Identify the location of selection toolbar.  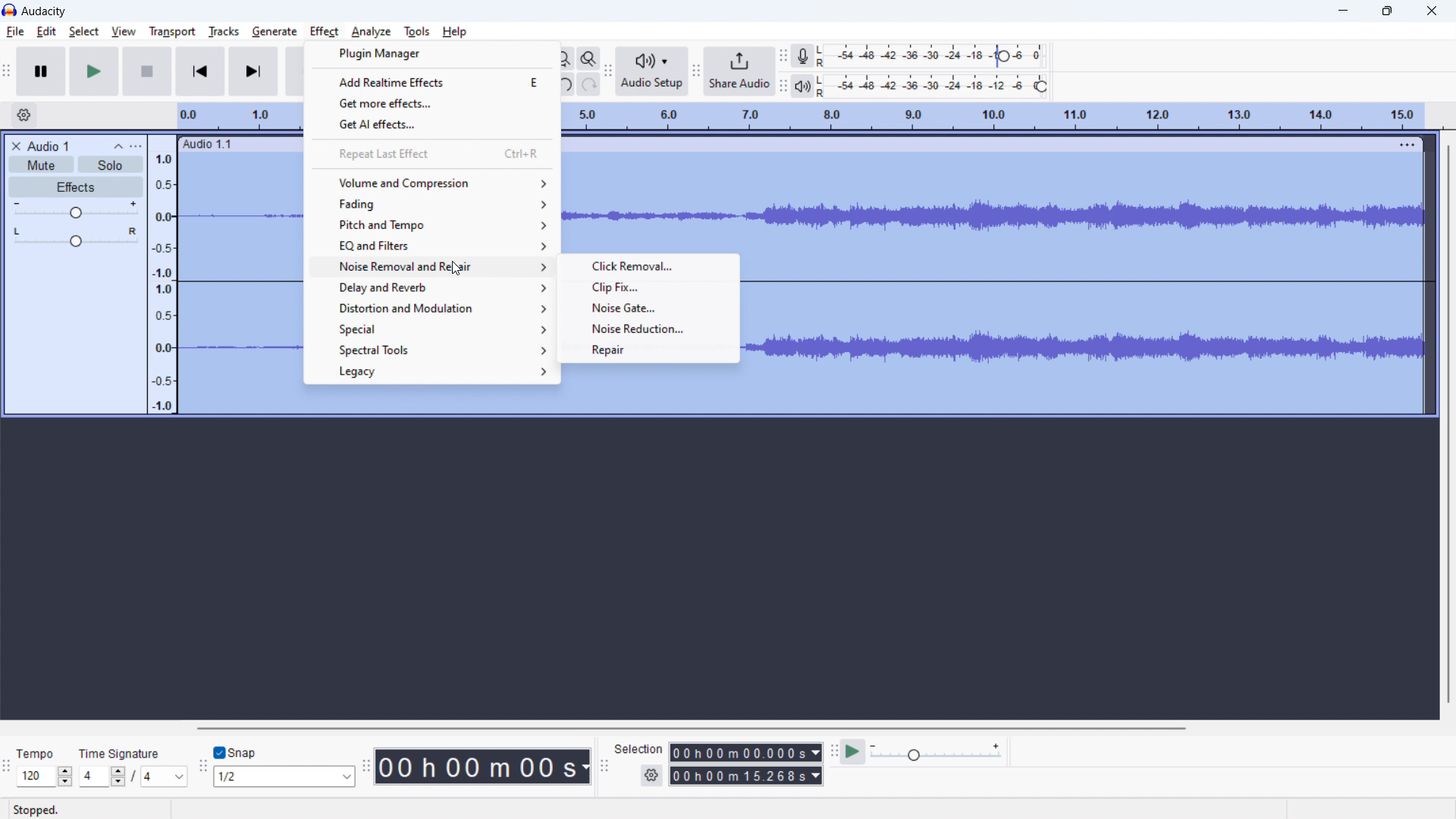
(604, 763).